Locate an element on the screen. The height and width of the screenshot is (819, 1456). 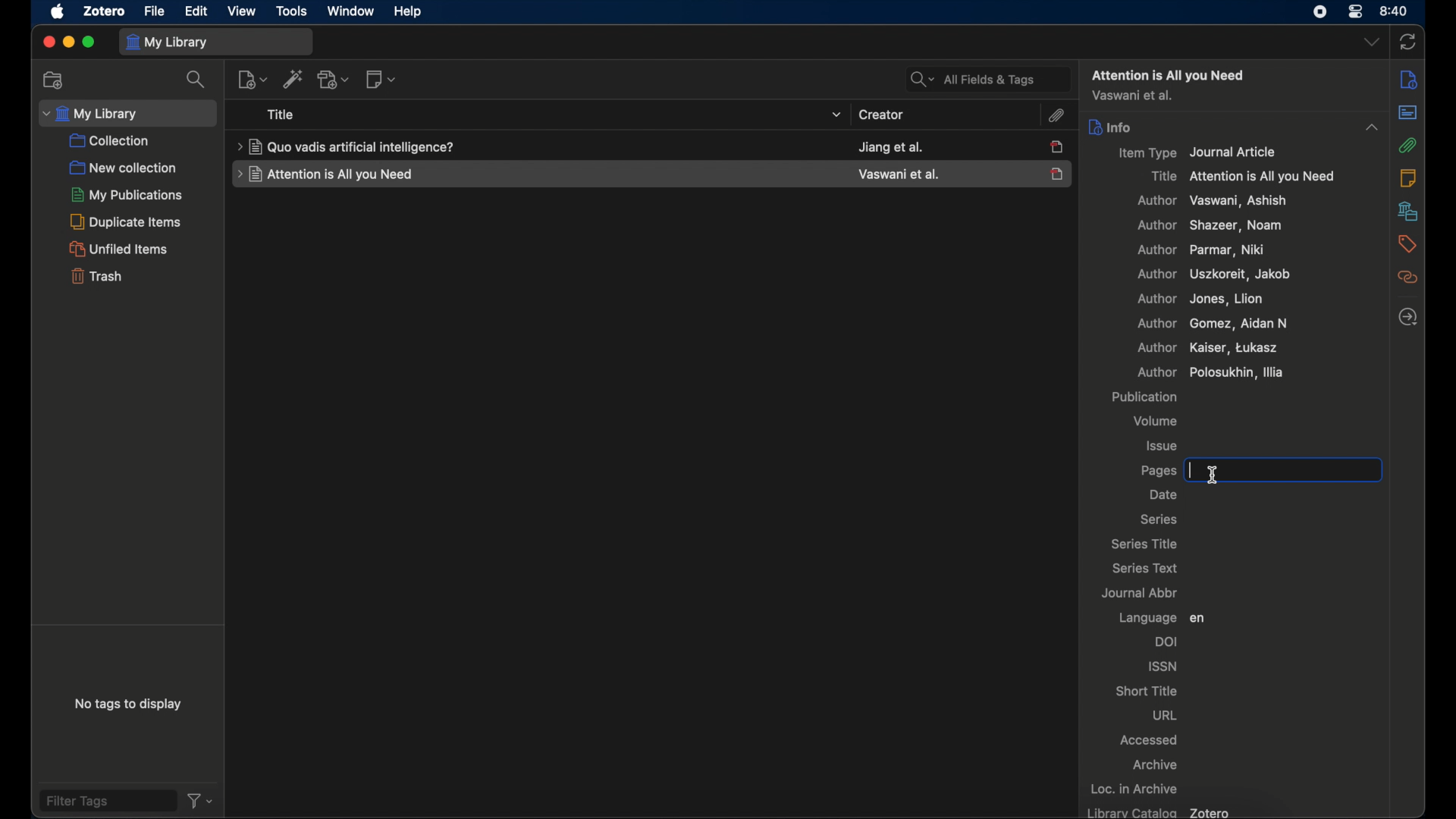
duplicate items is located at coordinates (127, 221).